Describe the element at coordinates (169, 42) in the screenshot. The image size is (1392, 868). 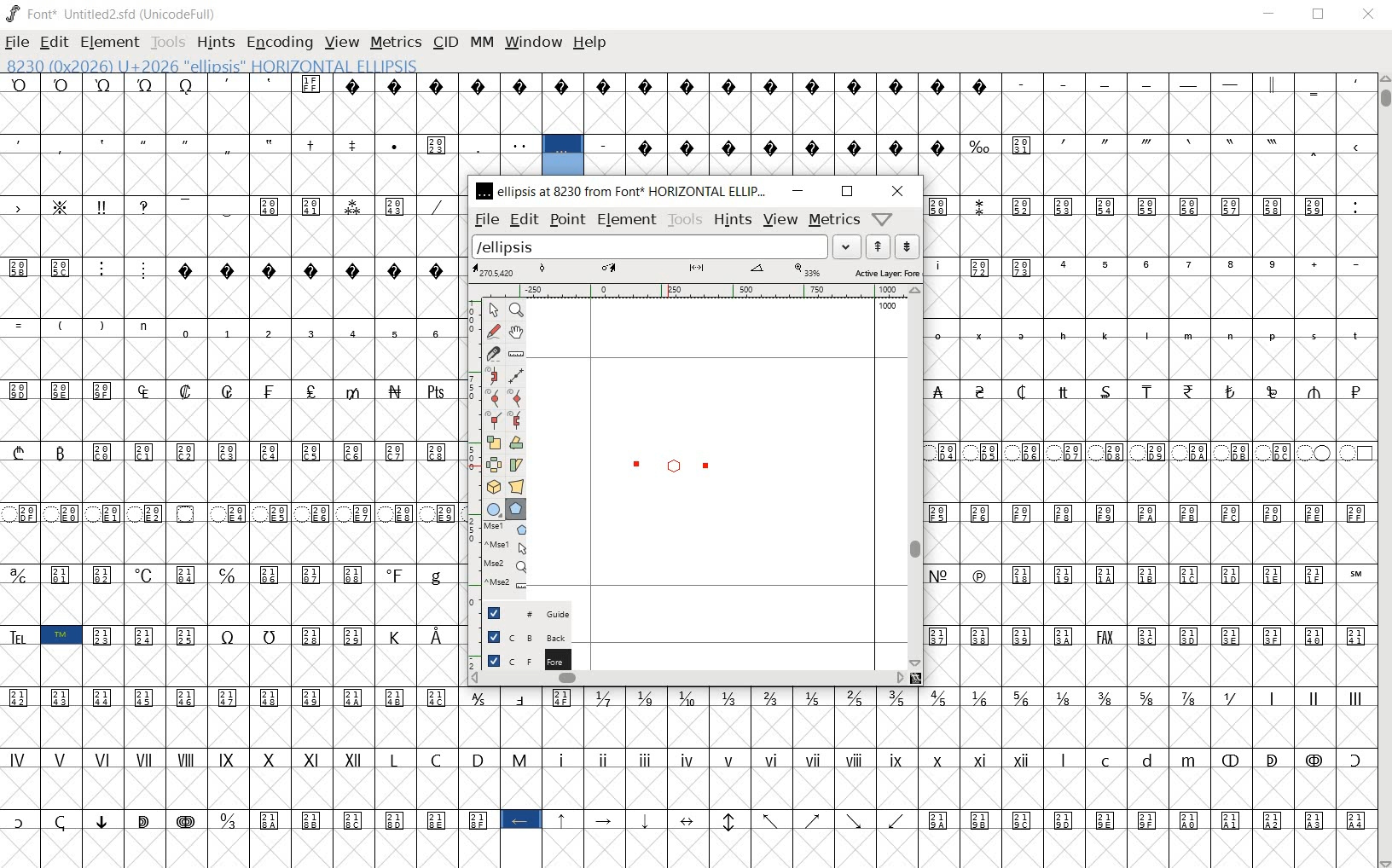
I see `TOOLS` at that location.